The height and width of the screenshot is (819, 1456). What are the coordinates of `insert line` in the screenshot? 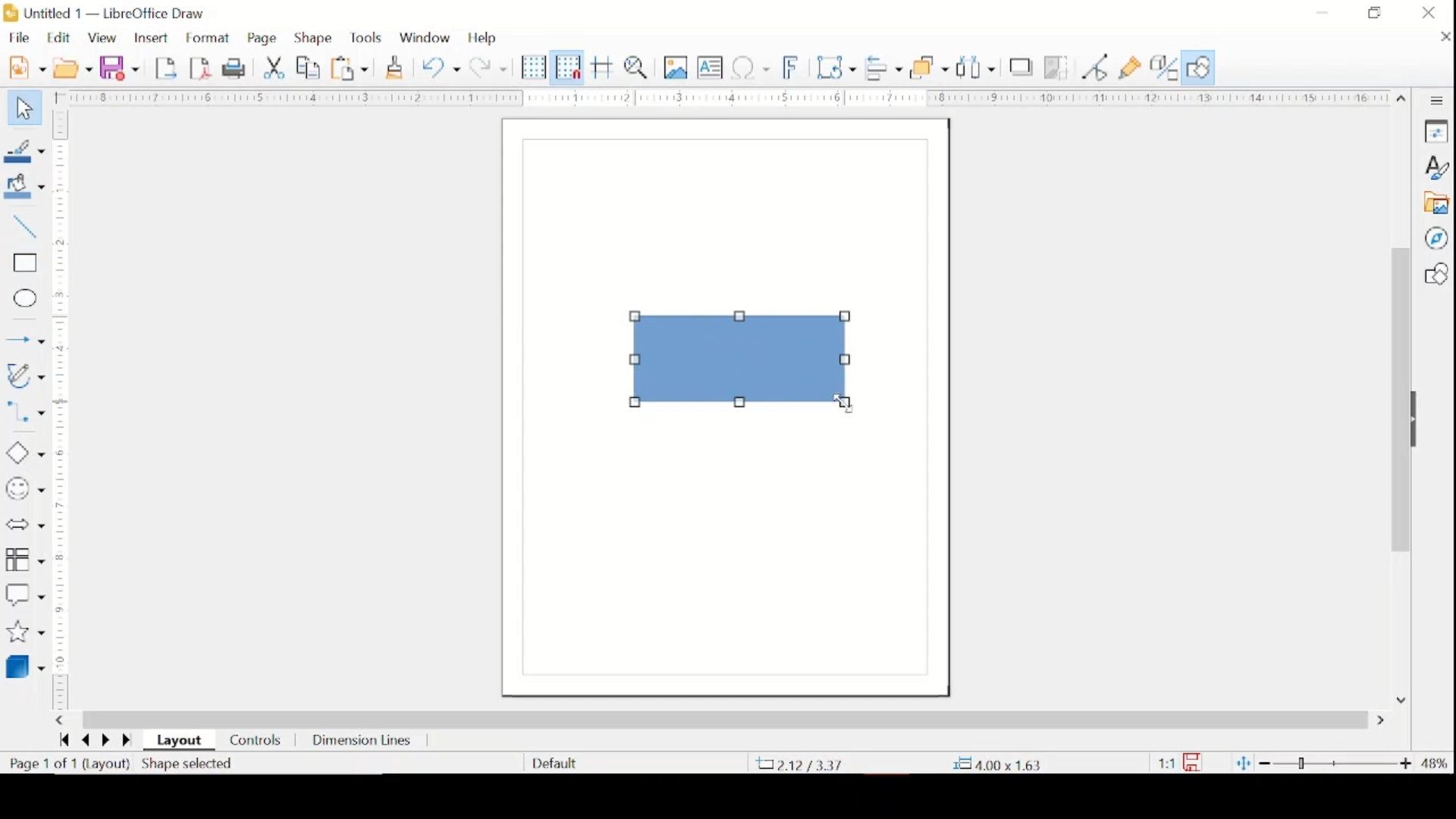 It's located at (25, 341).